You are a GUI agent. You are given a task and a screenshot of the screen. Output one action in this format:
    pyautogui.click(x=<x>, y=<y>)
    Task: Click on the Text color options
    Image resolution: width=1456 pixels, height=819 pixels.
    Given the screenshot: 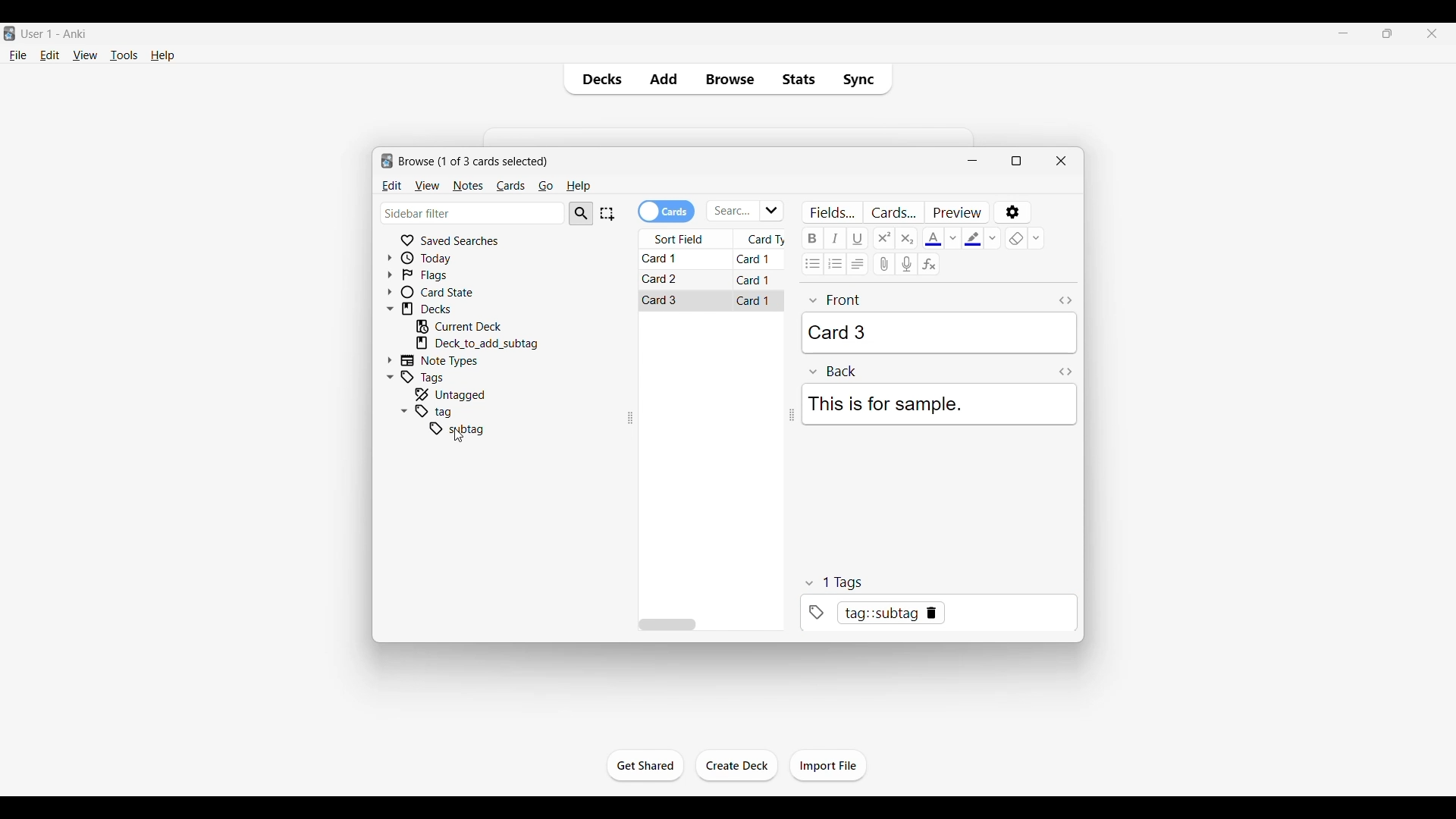 What is the action you would take?
    pyautogui.click(x=952, y=238)
    